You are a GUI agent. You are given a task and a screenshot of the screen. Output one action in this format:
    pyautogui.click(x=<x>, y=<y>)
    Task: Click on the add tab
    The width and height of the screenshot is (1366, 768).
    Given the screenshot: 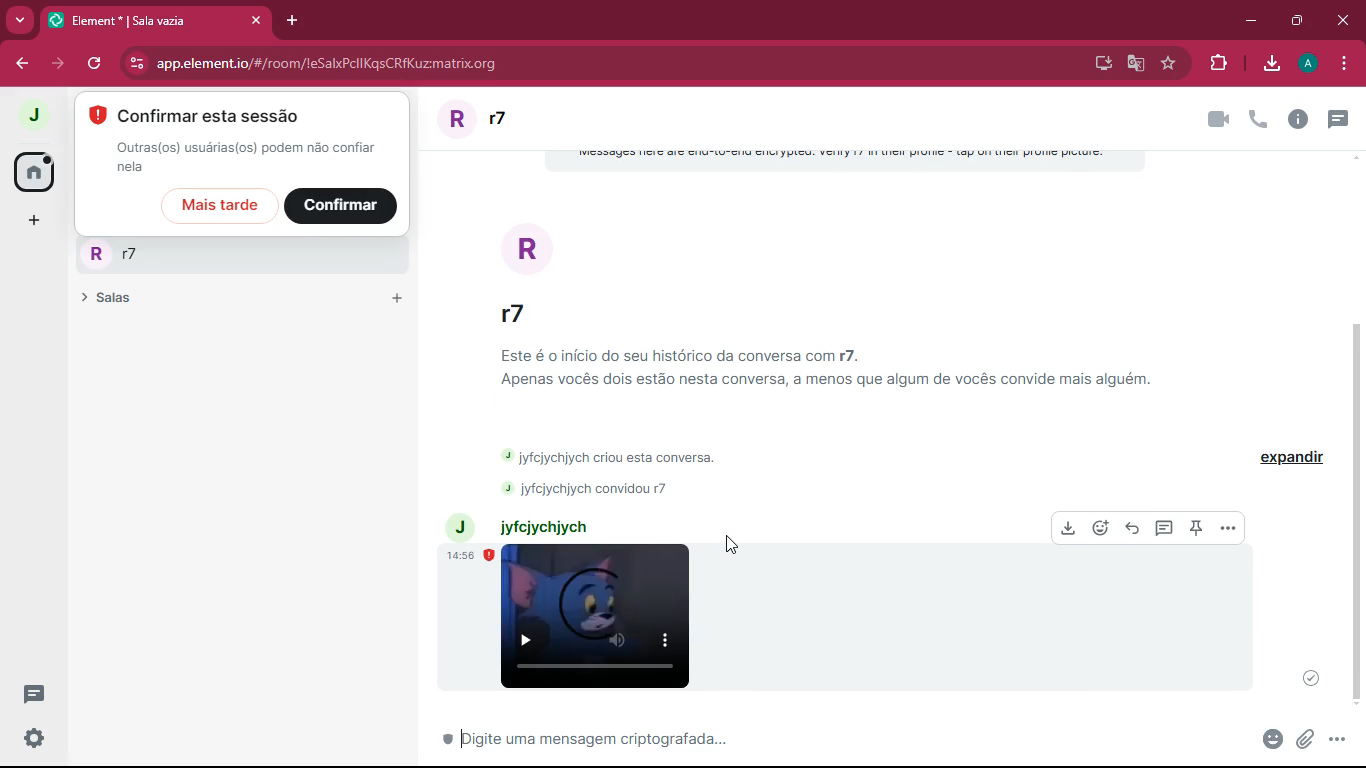 What is the action you would take?
    pyautogui.click(x=291, y=21)
    